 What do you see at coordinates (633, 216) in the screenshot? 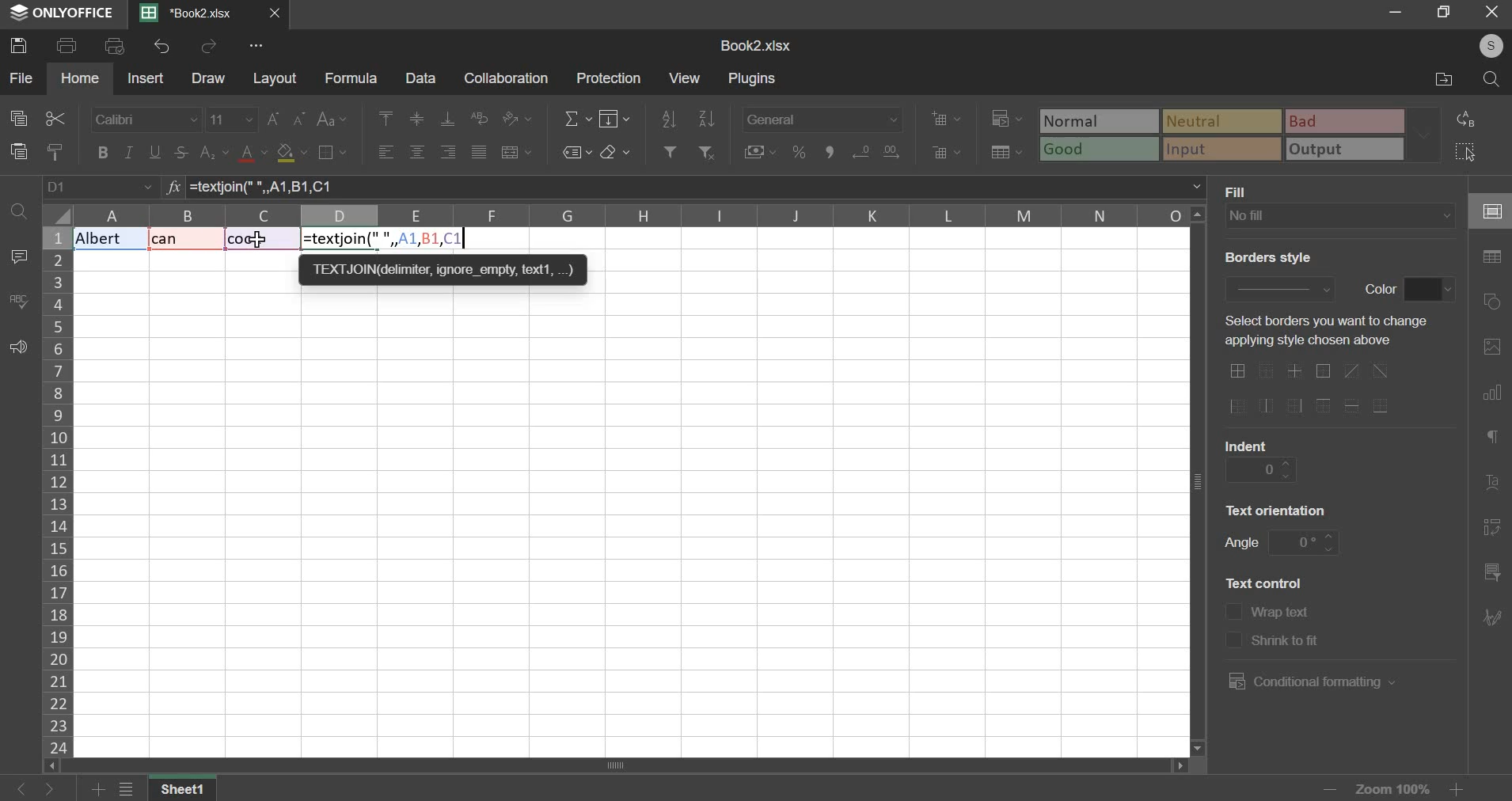
I see `columns` at bounding box center [633, 216].